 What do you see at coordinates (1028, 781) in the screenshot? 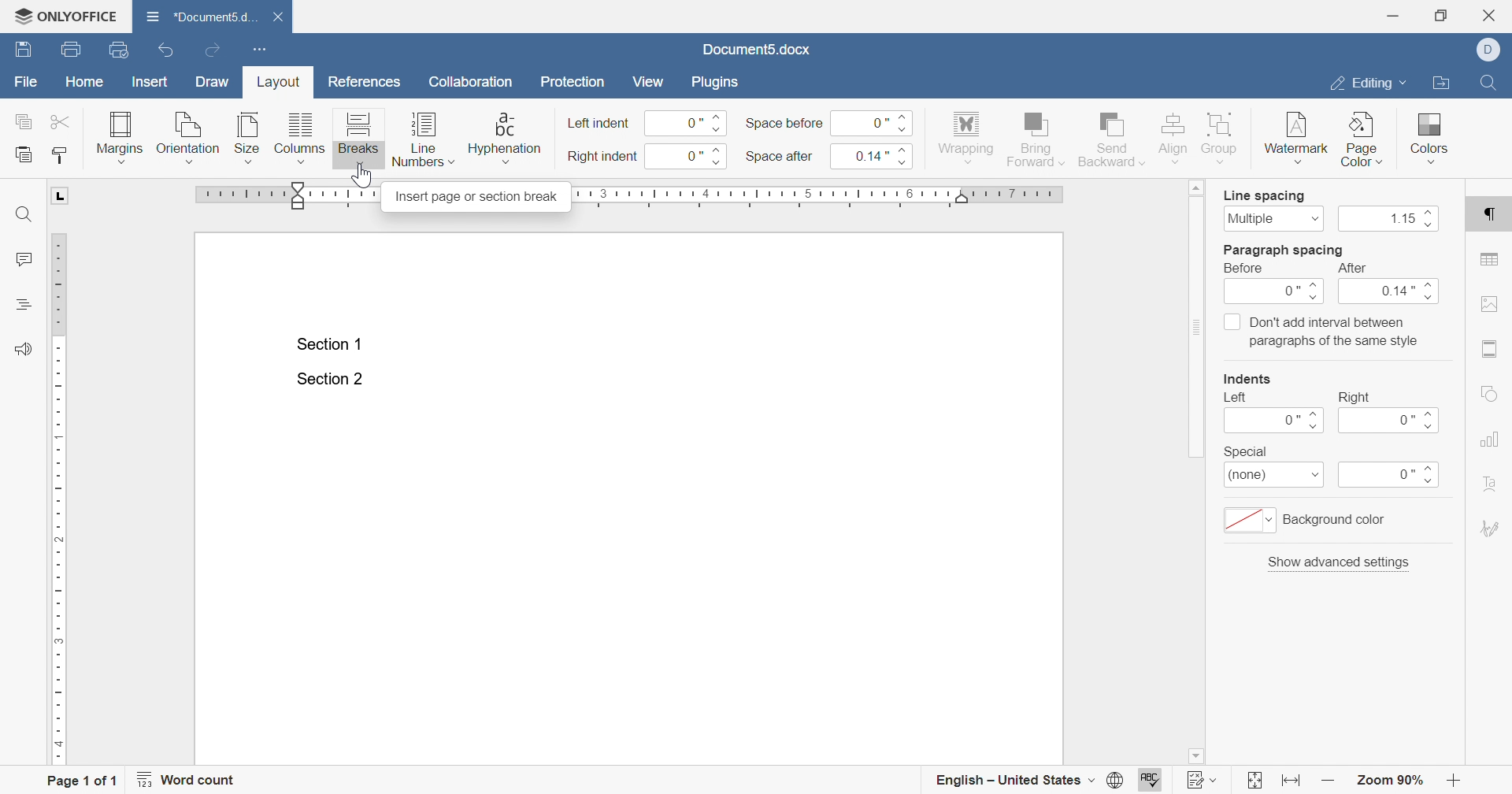
I see `english - united states` at bounding box center [1028, 781].